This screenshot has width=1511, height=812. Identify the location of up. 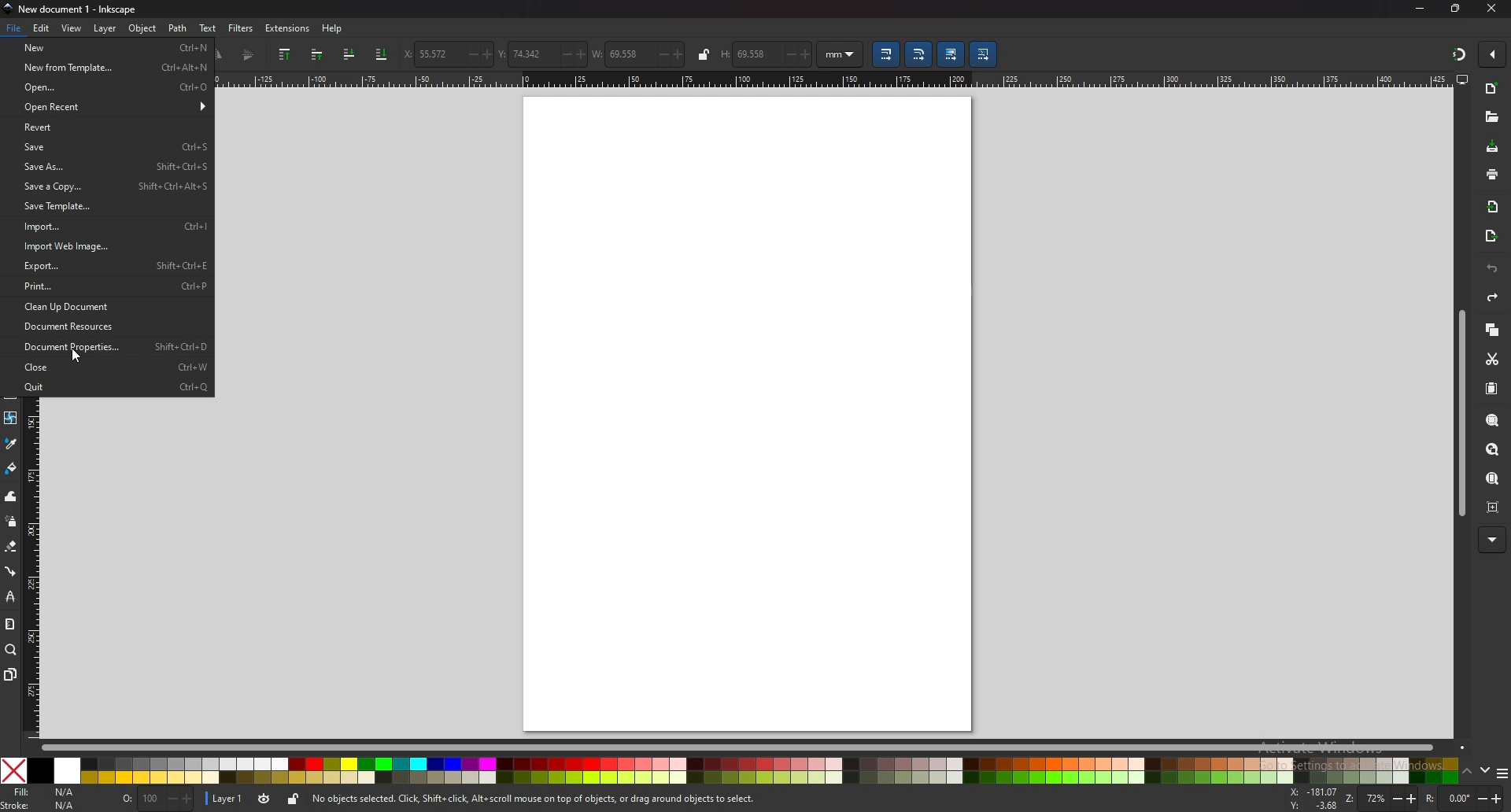
(1467, 770).